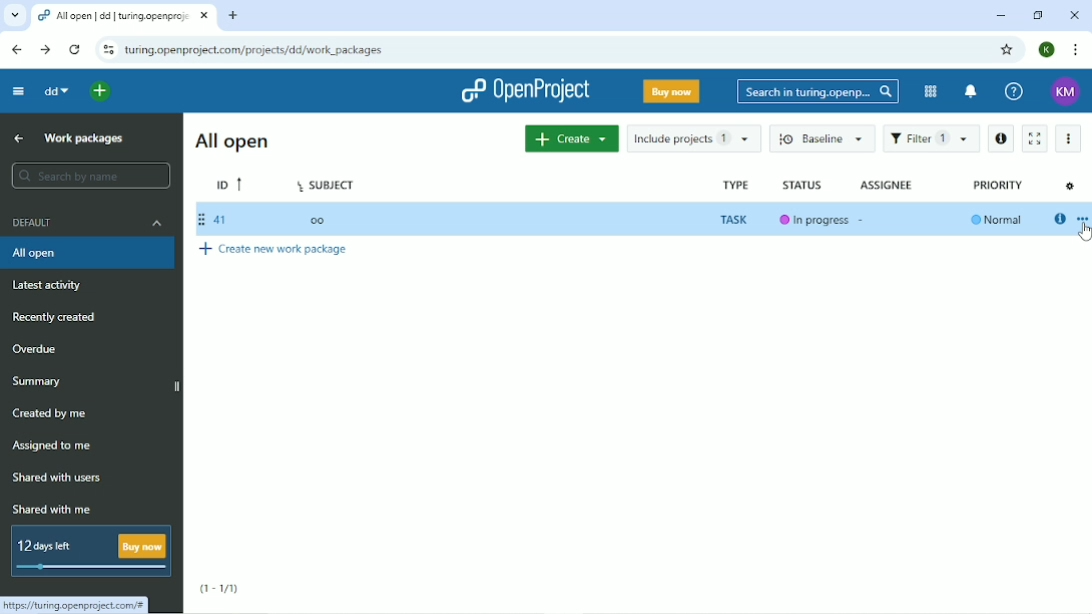 This screenshot has width=1092, height=614. What do you see at coordinates (87, 139) in the screenshot?
I see `Work packages` at bounding box center [87, 139].